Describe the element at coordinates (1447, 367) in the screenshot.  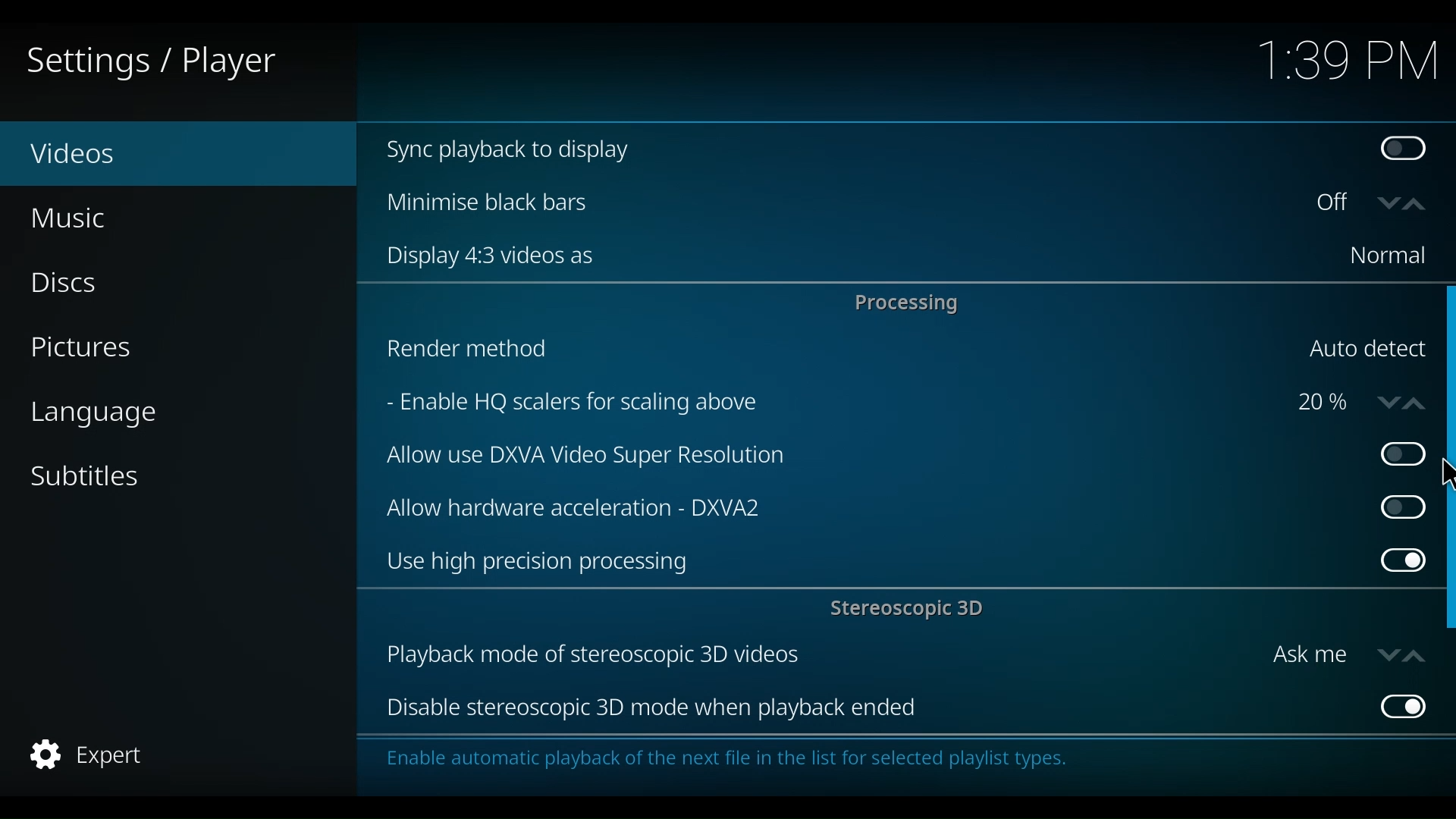
I see `Vertical Scrollbar` at that location.